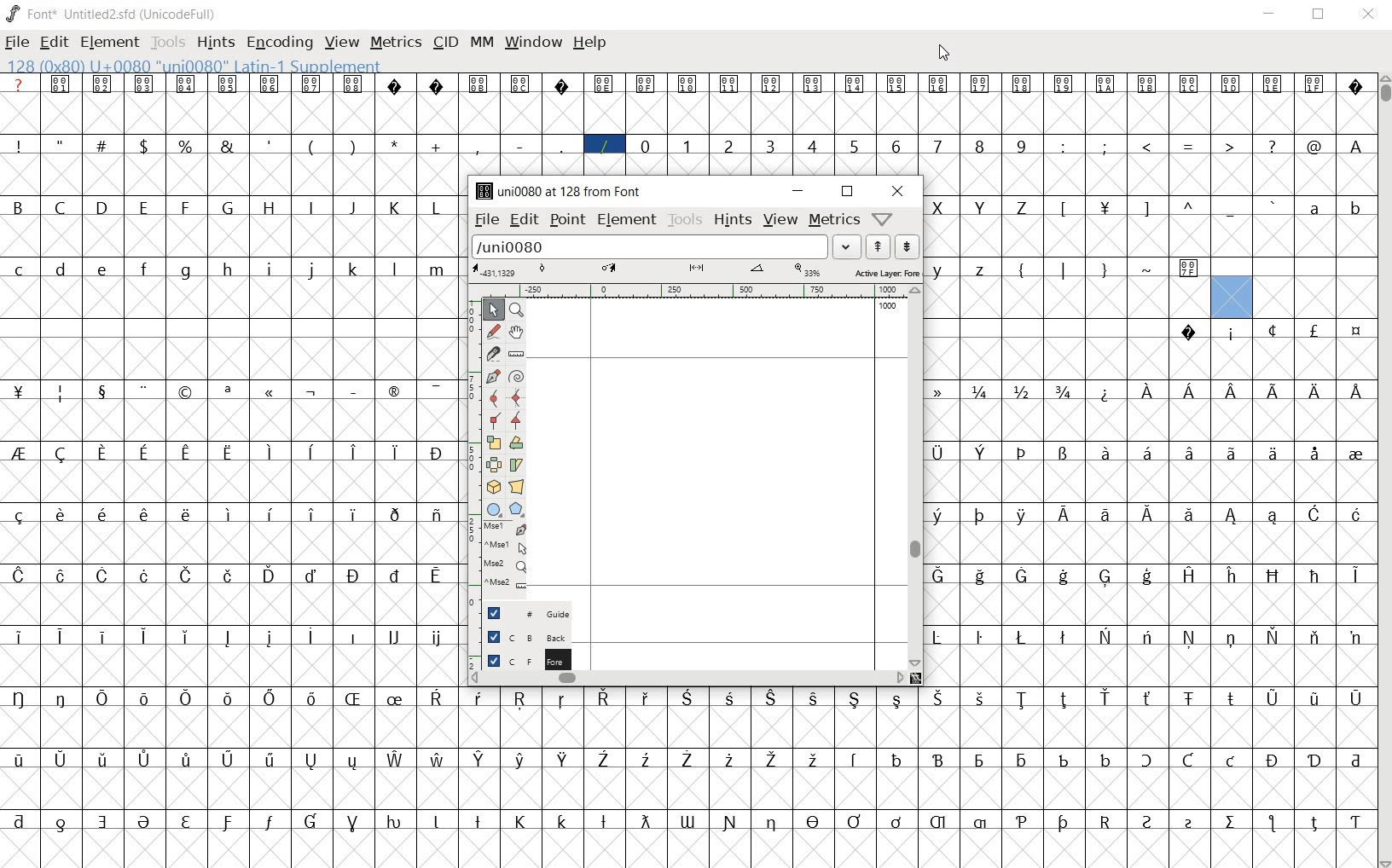 Image resolution: width=1392 pixels, height=868 pixels. What do you see at coordinates (185, 207) in the screenshot?
I see `glyph` at bounding box center [185, 207].